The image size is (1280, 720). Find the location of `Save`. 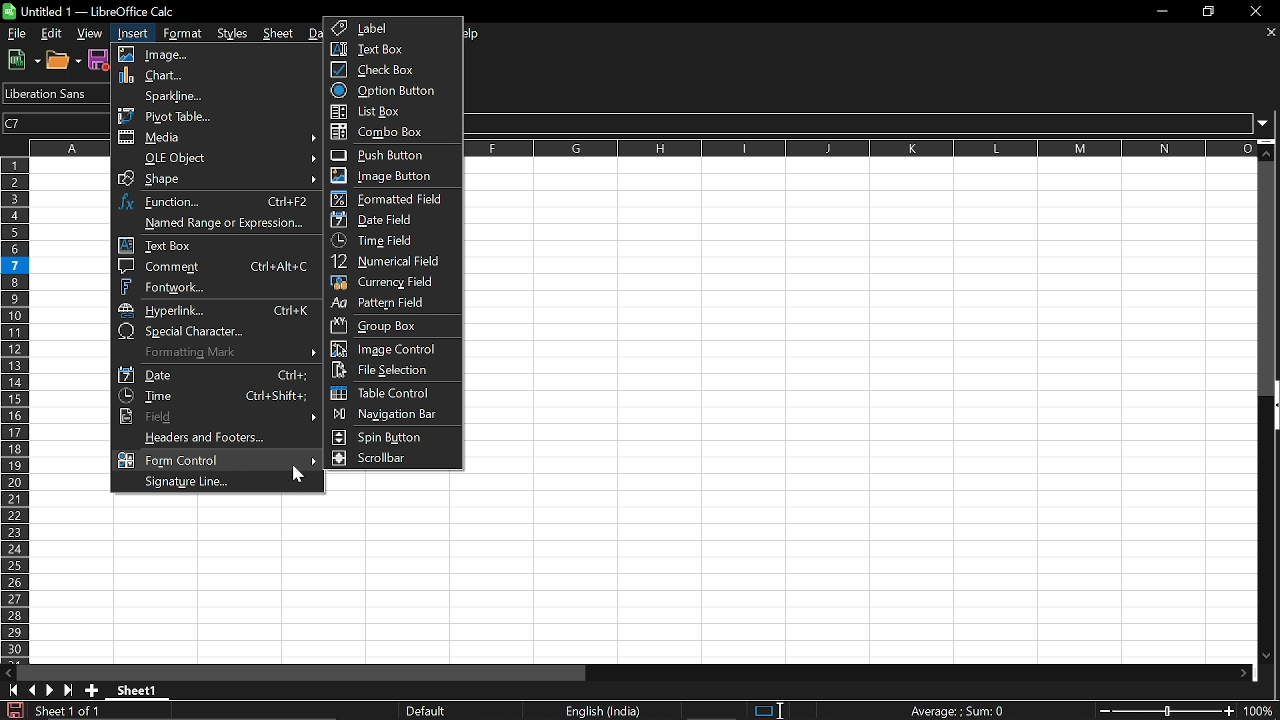

Save is located at coordinates (13, 710).